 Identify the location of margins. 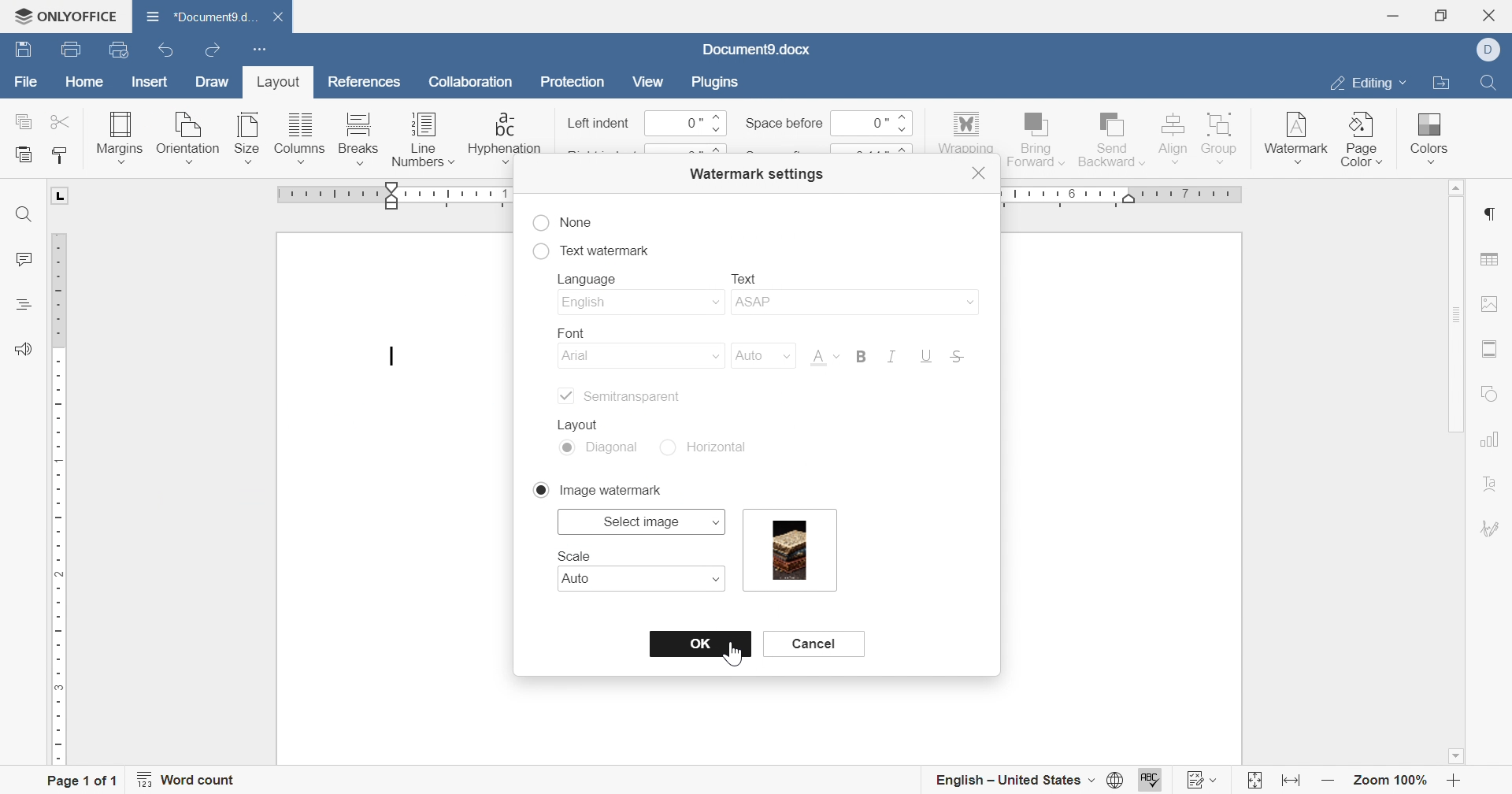
(118, 136).